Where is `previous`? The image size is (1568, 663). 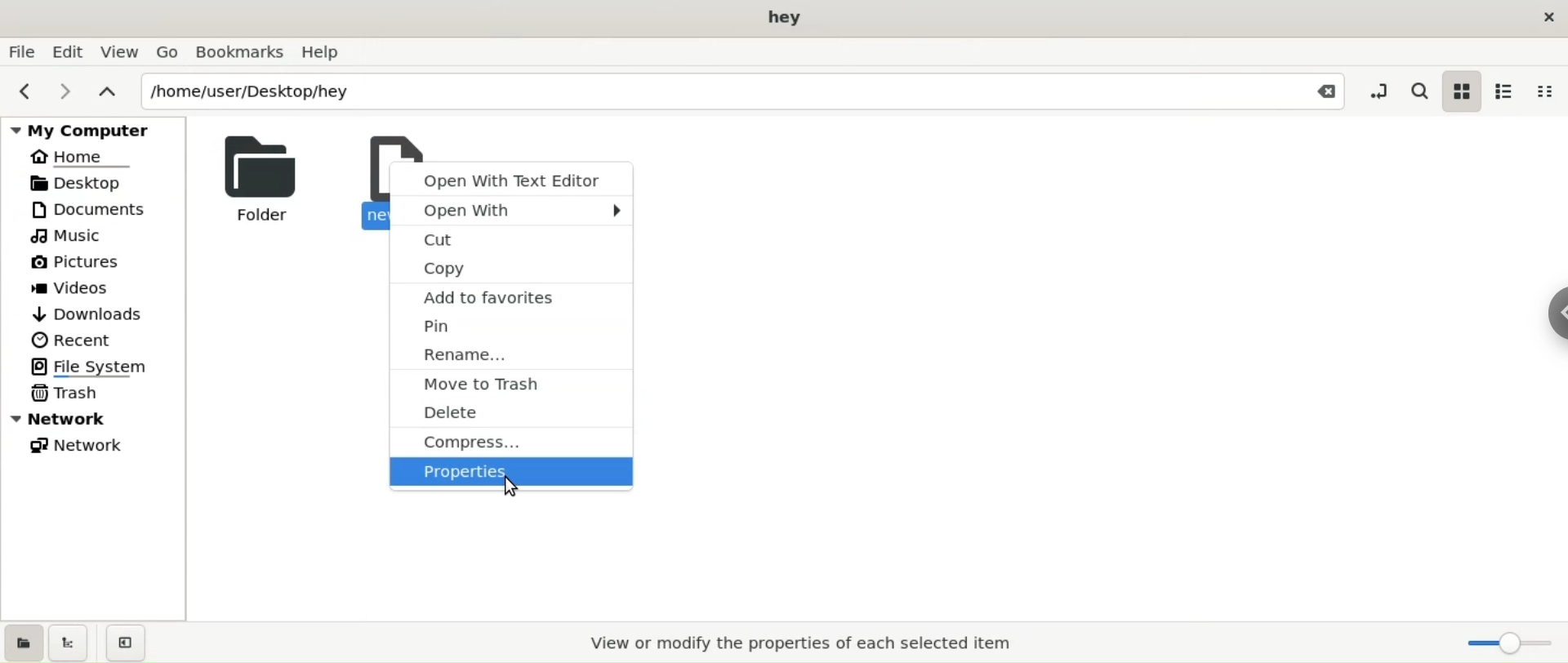
previous is located at coordinates (24, 88).